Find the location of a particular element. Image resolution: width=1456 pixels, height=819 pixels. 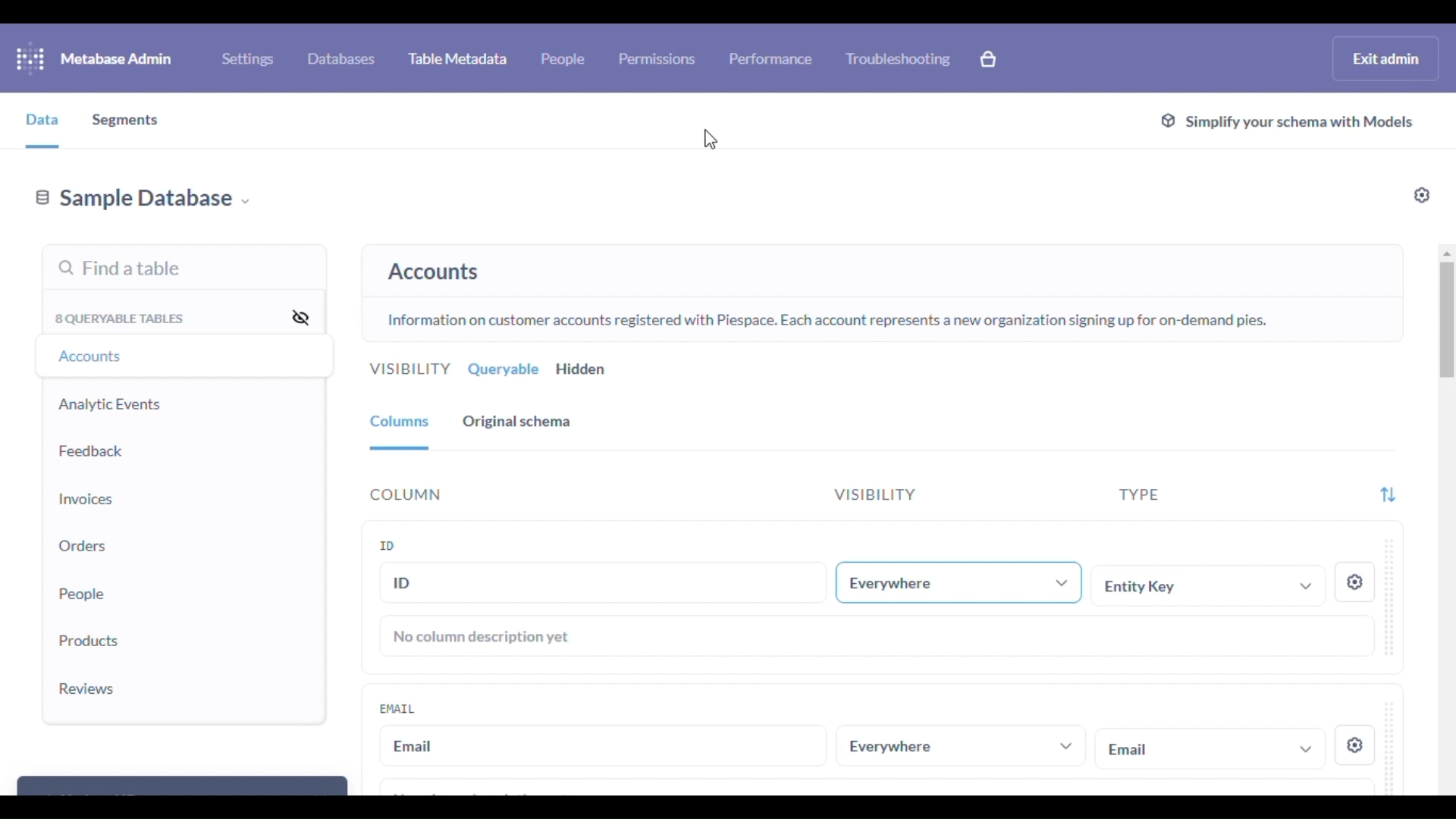

ID is located at coordinates (602, 582).